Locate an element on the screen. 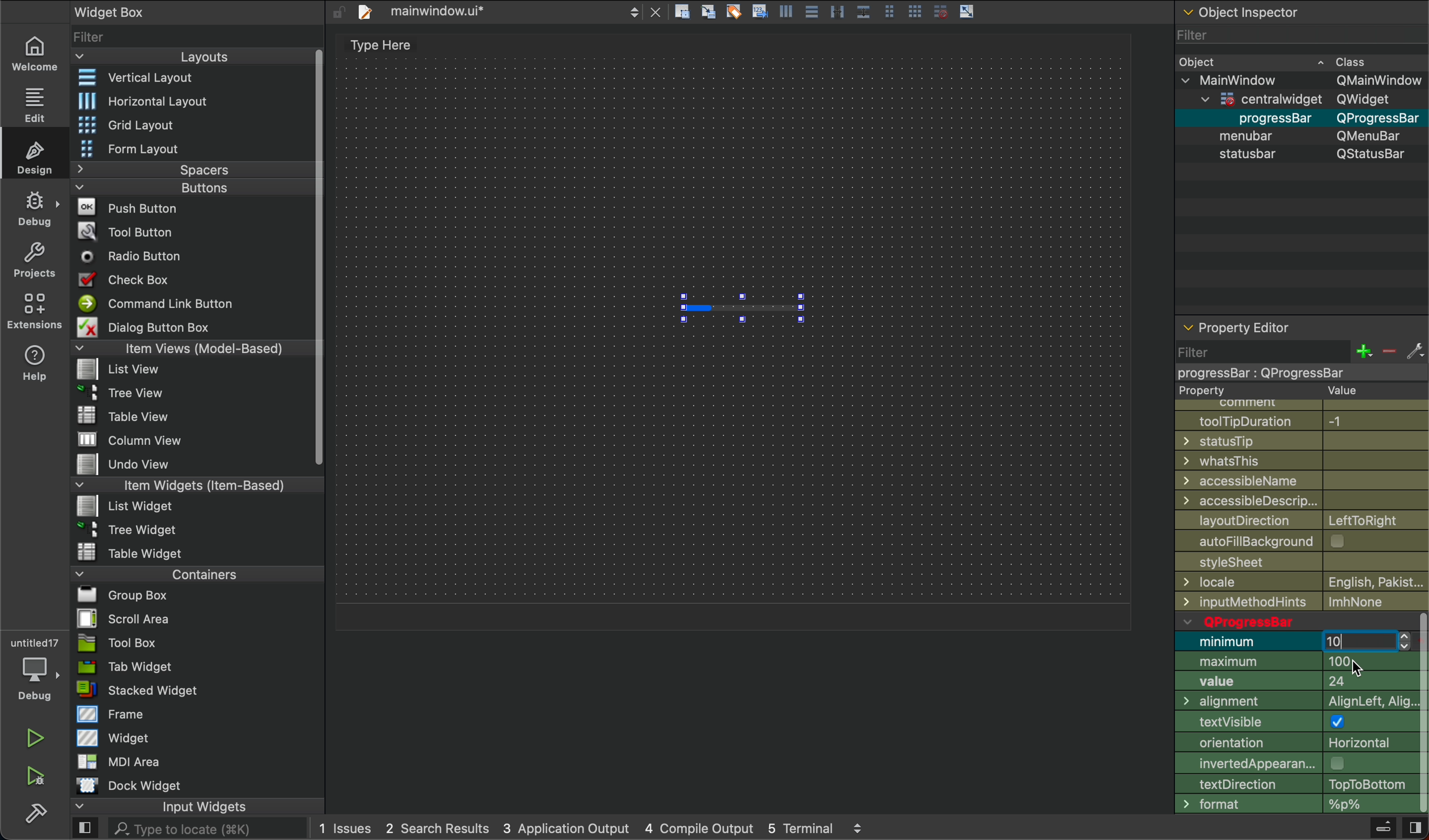  edit is located at coordinates (32, 103).